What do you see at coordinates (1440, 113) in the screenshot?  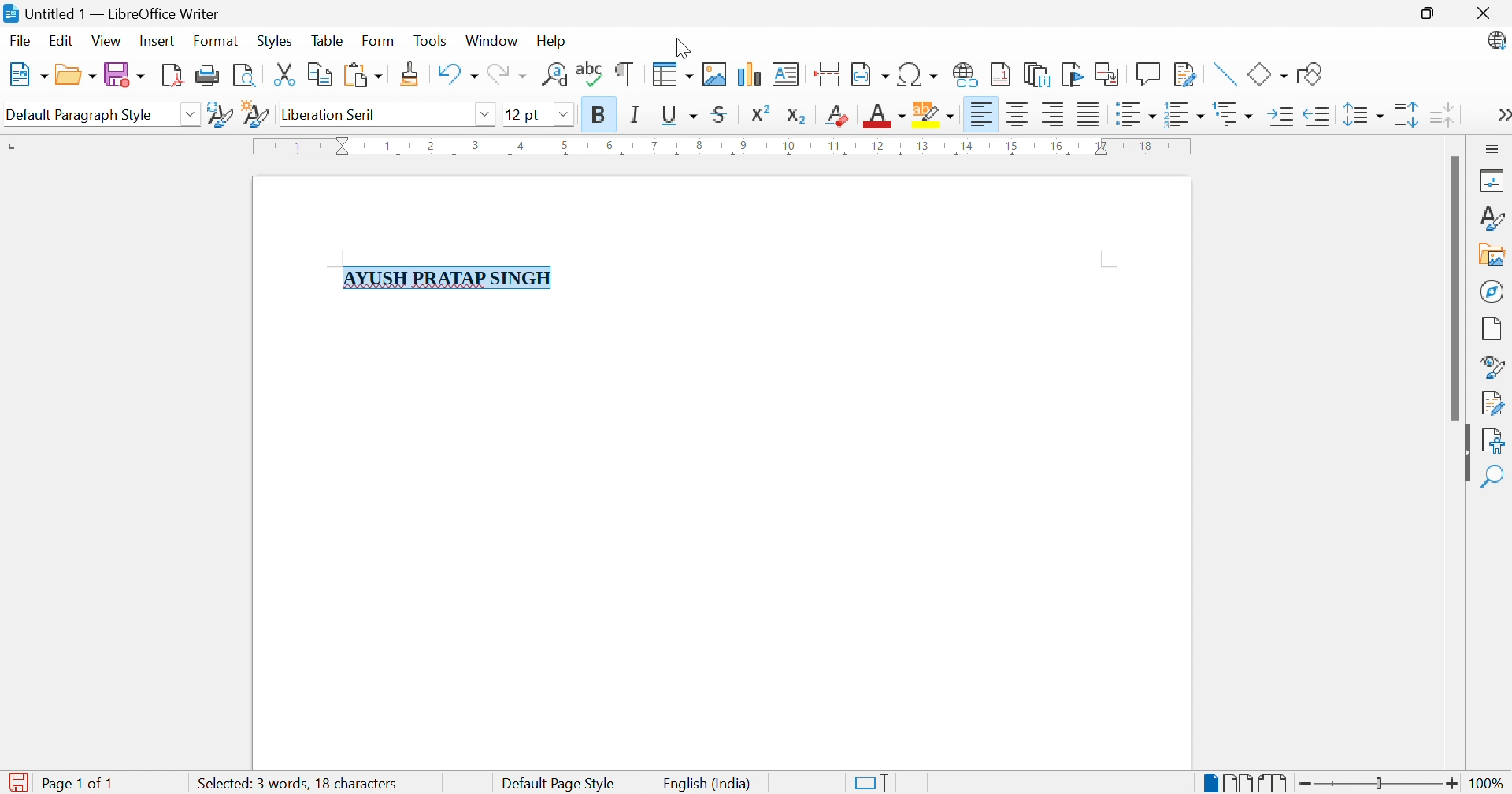 I see `Decrease Paragraph Spacing` at bounding box center [1440, 113].